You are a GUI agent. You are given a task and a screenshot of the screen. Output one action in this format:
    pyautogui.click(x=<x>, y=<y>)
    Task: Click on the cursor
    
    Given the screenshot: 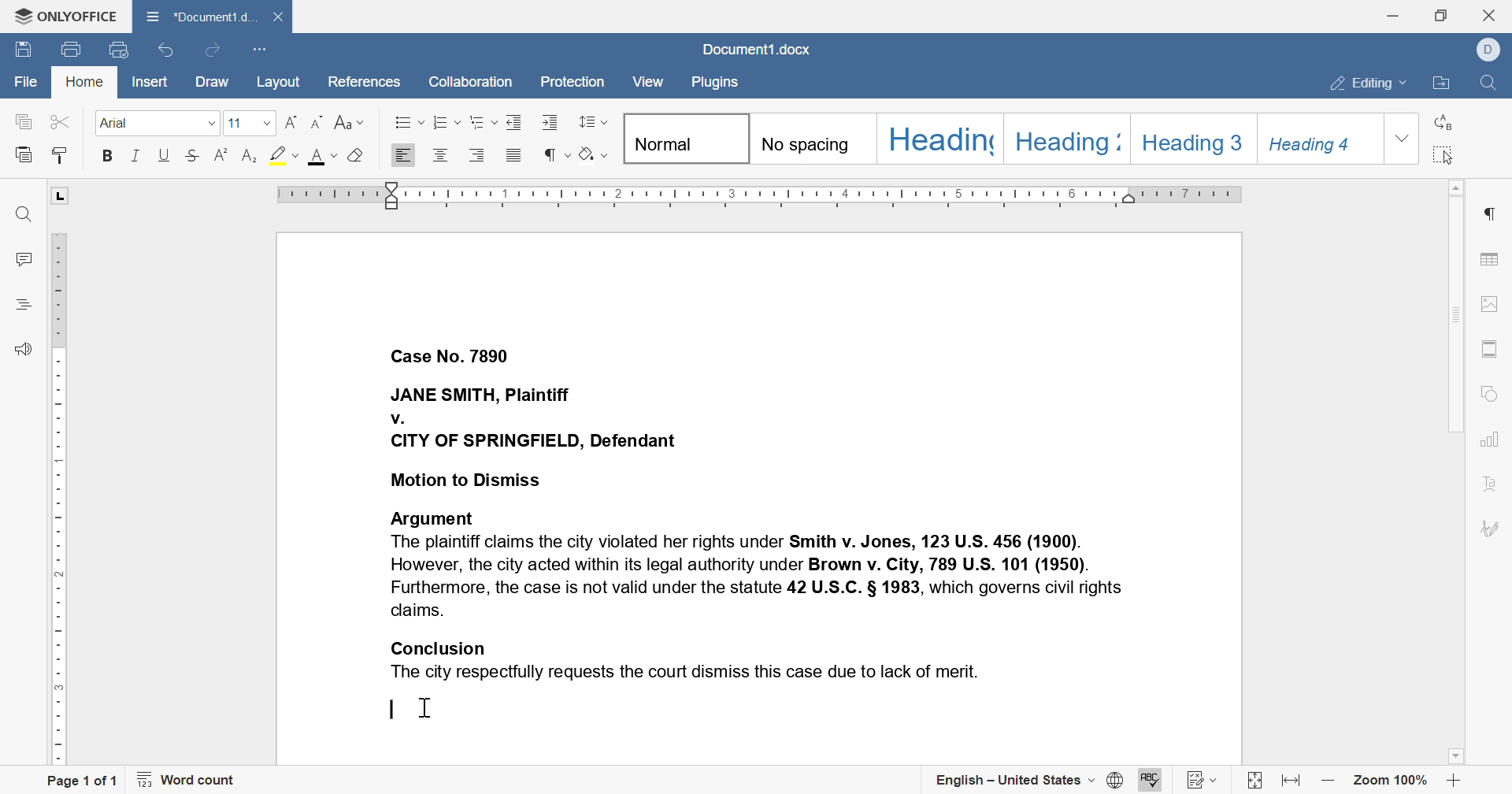 What is the action you would take?
    pyautogui.click(x=432, y=710)
    